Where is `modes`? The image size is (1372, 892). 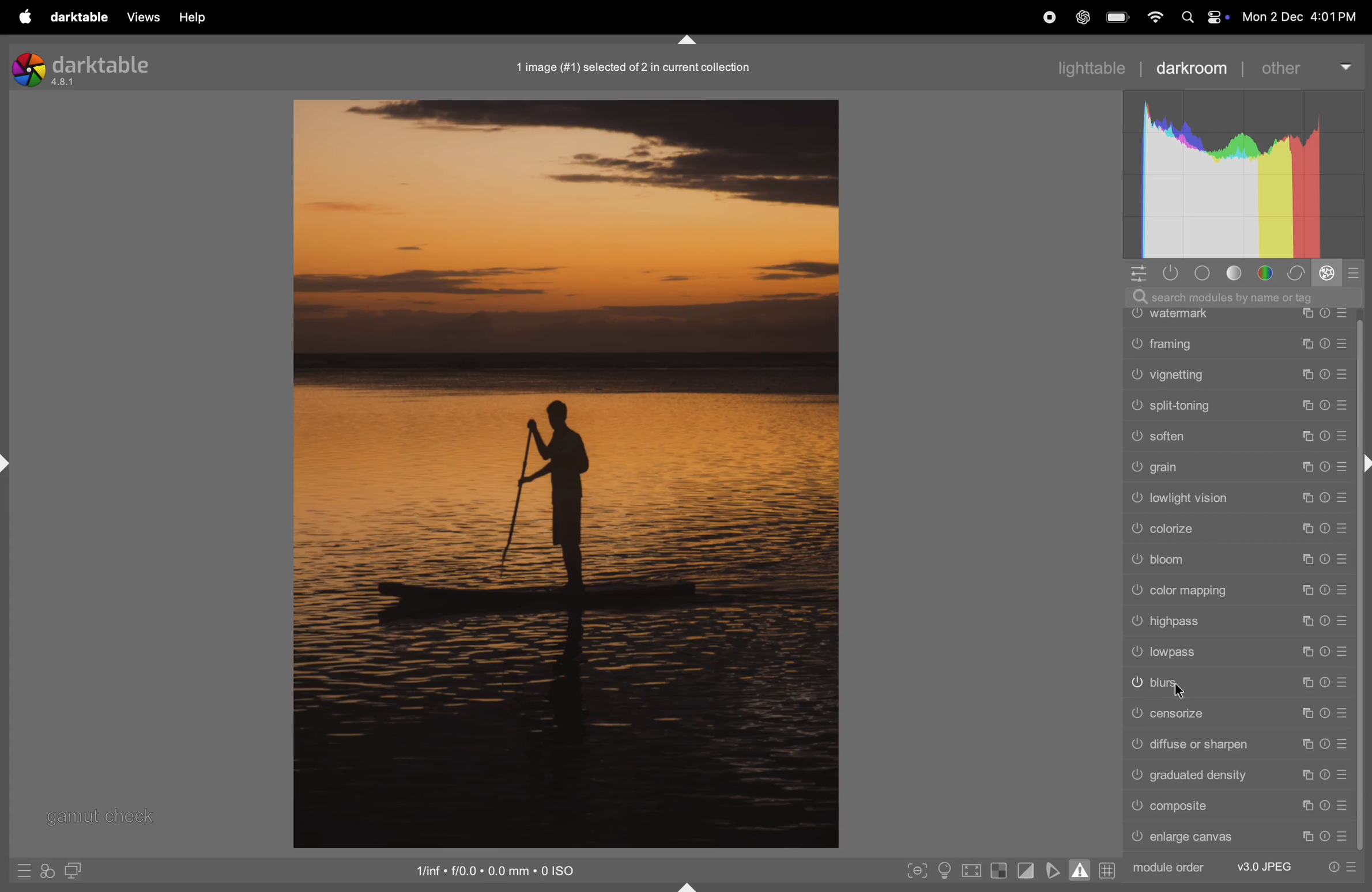 modes is located at coordinates (1357, 272).